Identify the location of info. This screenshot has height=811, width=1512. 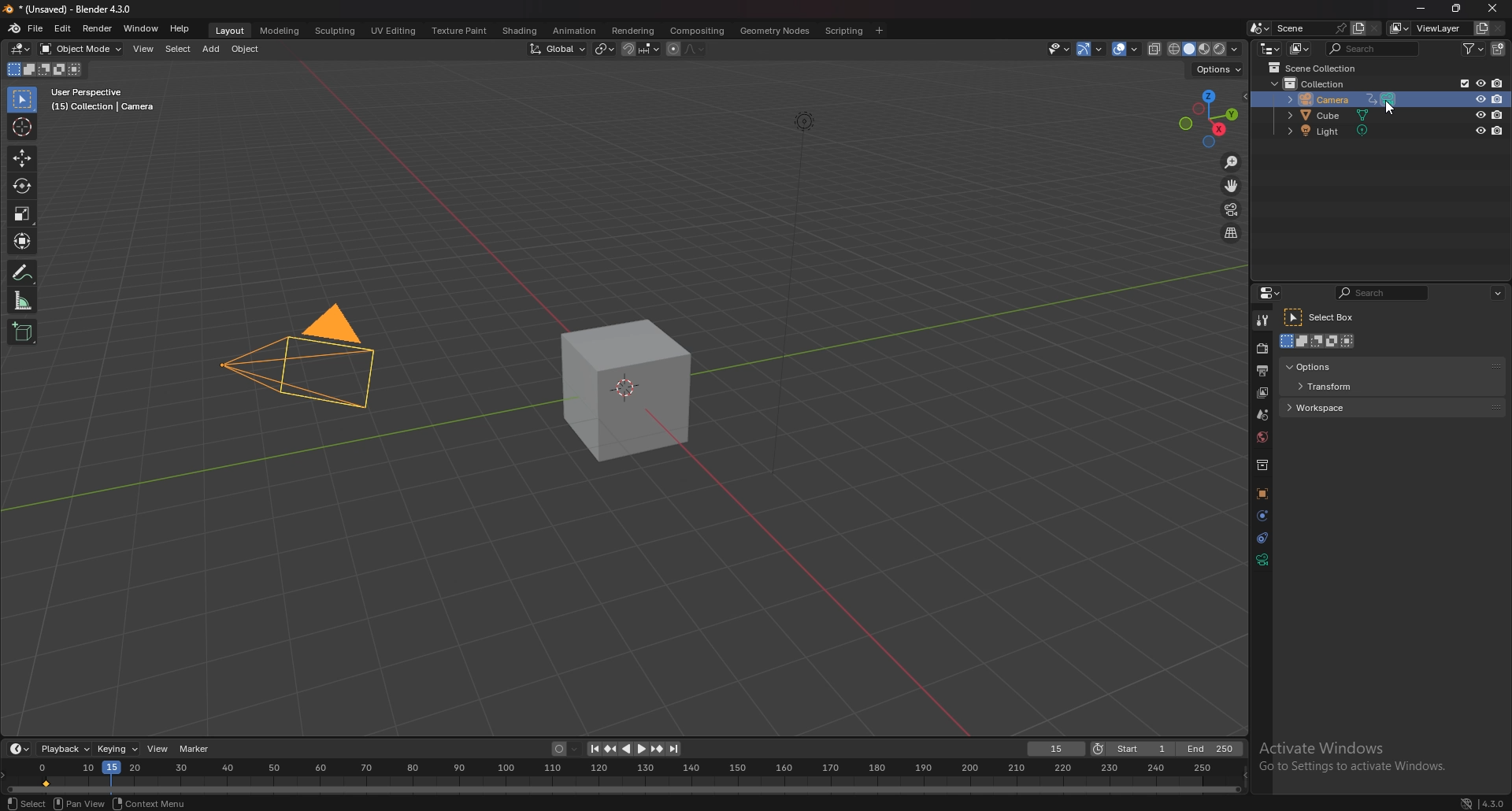
(103, 100).